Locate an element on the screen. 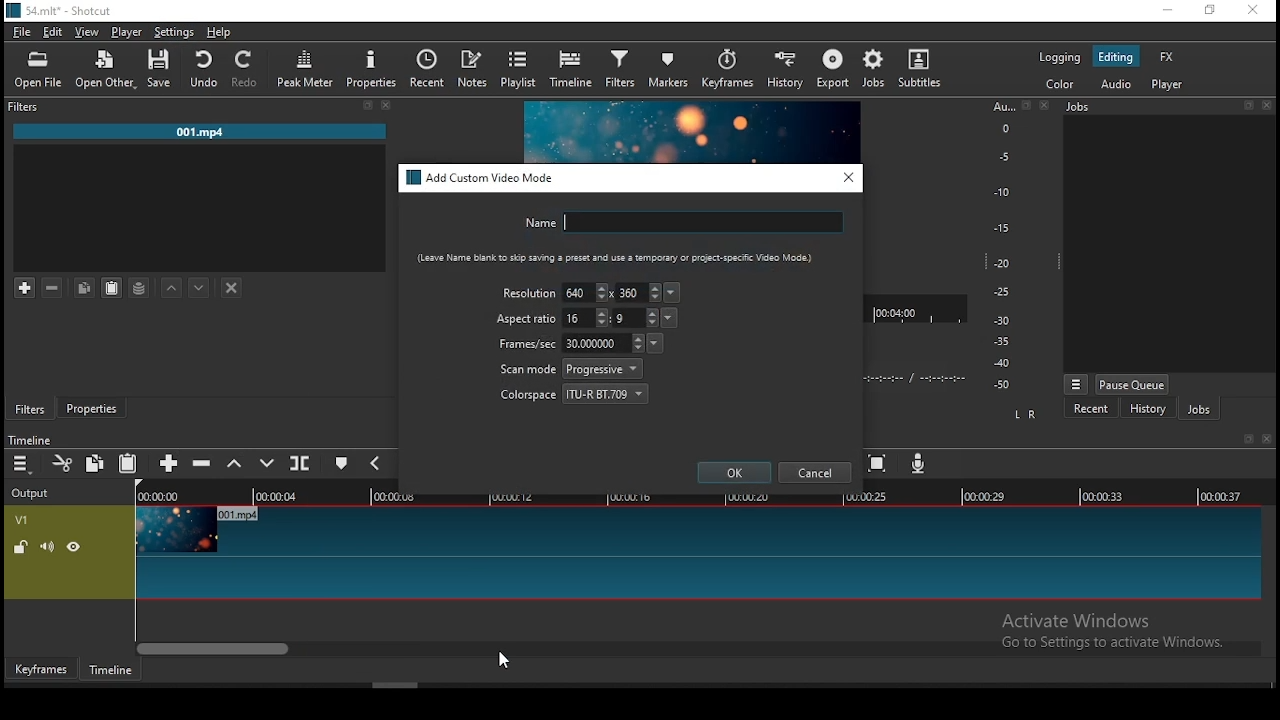  add custom video mode  is located at coordinates (482, 178).